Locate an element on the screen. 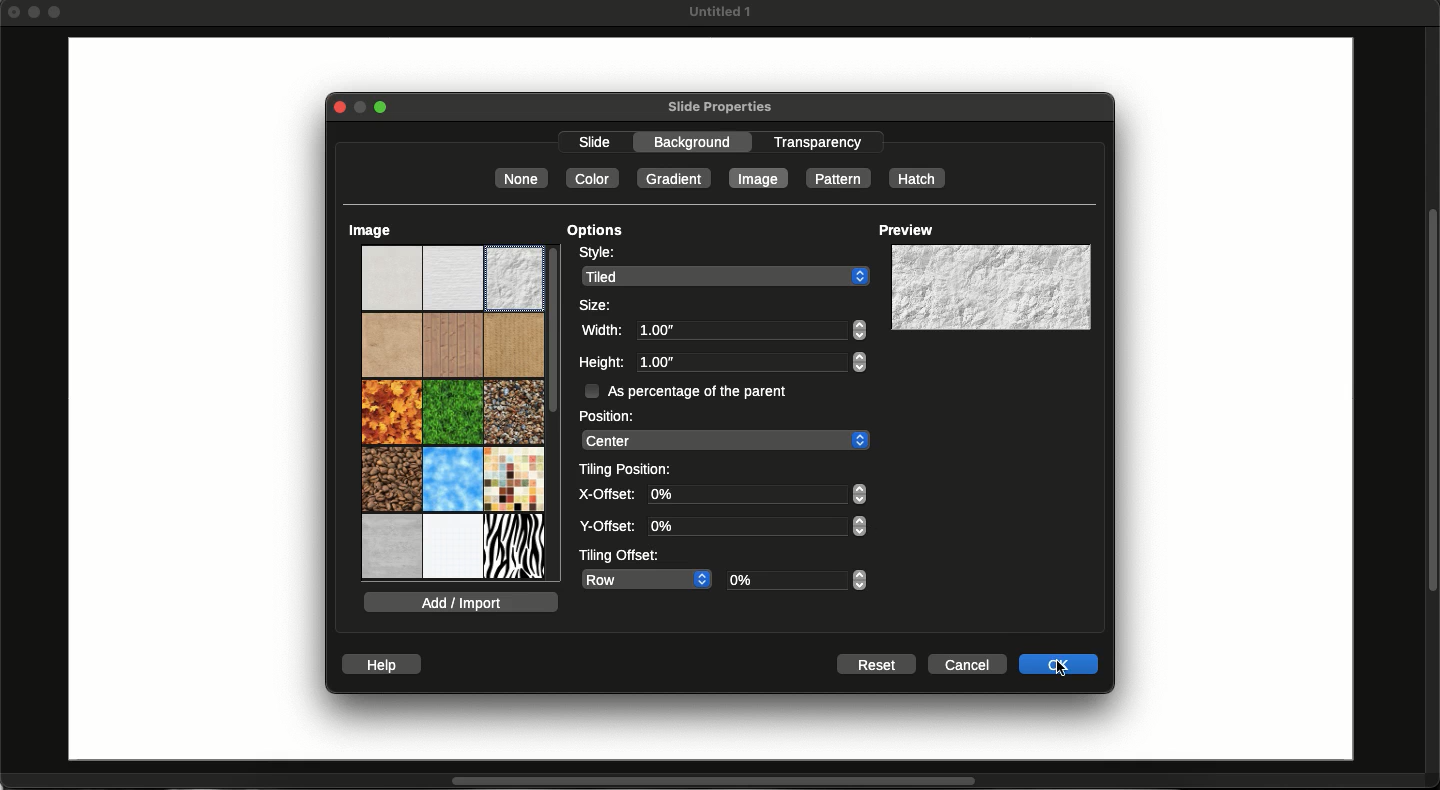 This screenshot has height=790, width=1440. Display is located at coordinates (989, 288).